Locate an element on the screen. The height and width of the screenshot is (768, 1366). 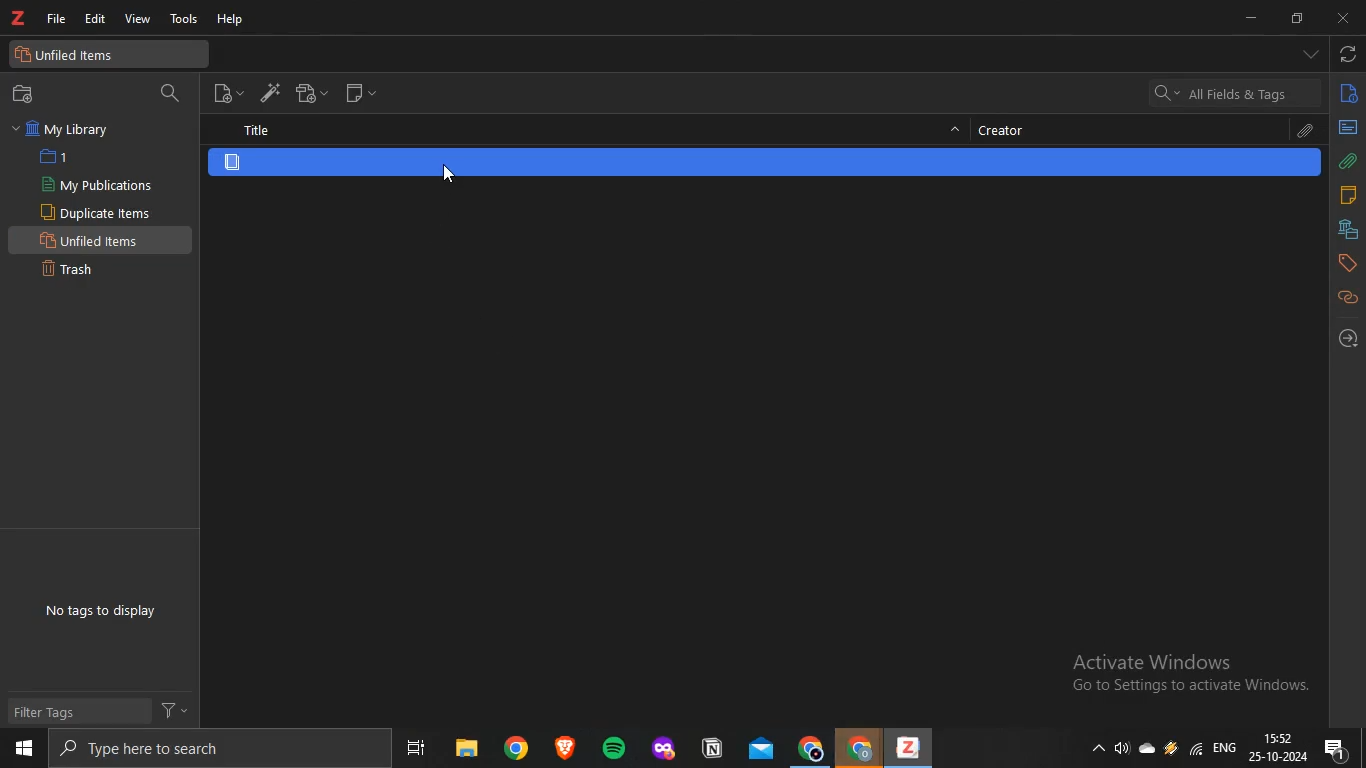
hide is located at coordinates (956, 133).